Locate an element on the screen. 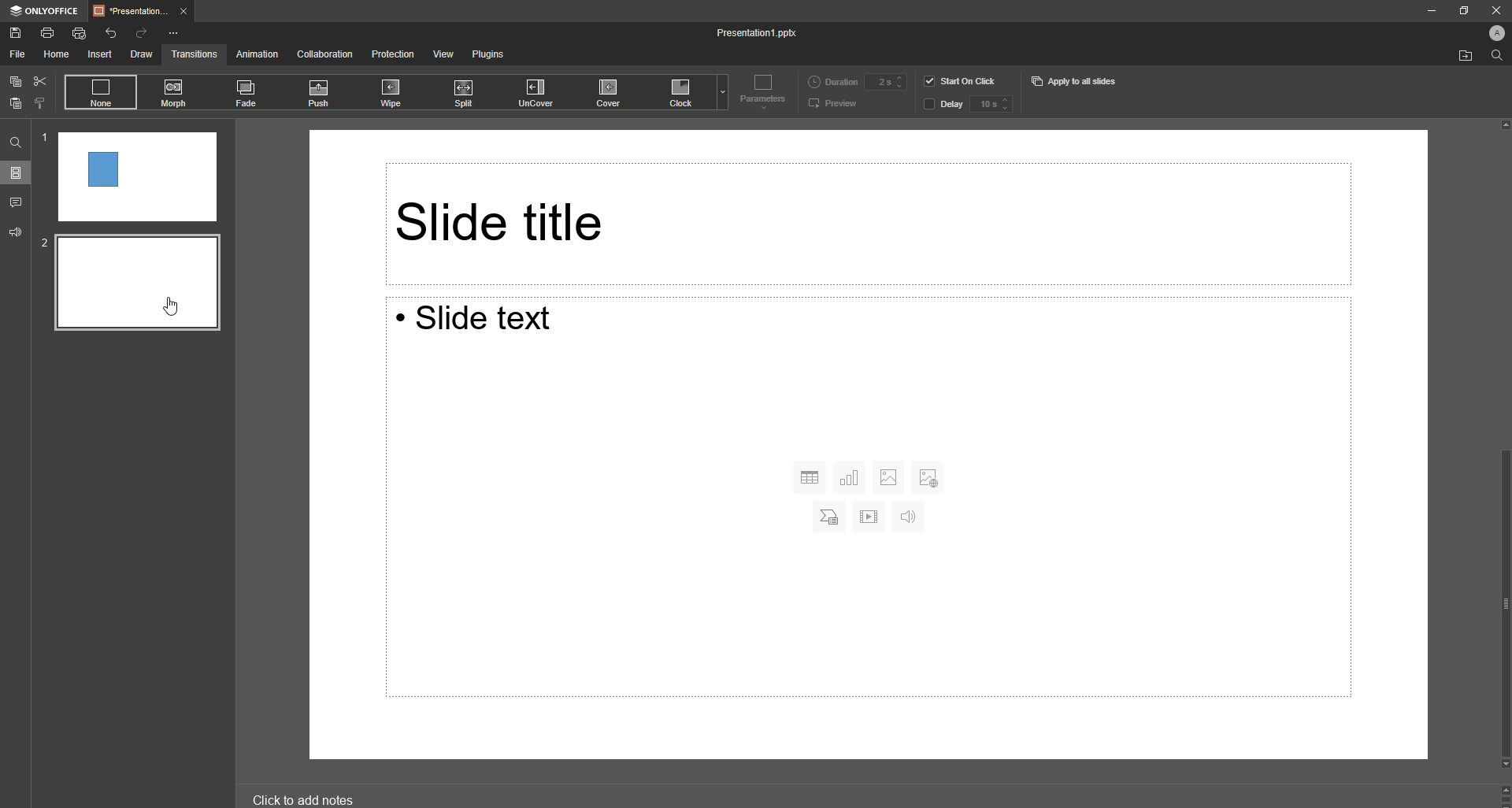 This screenshot has height=808, width=1512. More Options is located at coordinates (173, 34).